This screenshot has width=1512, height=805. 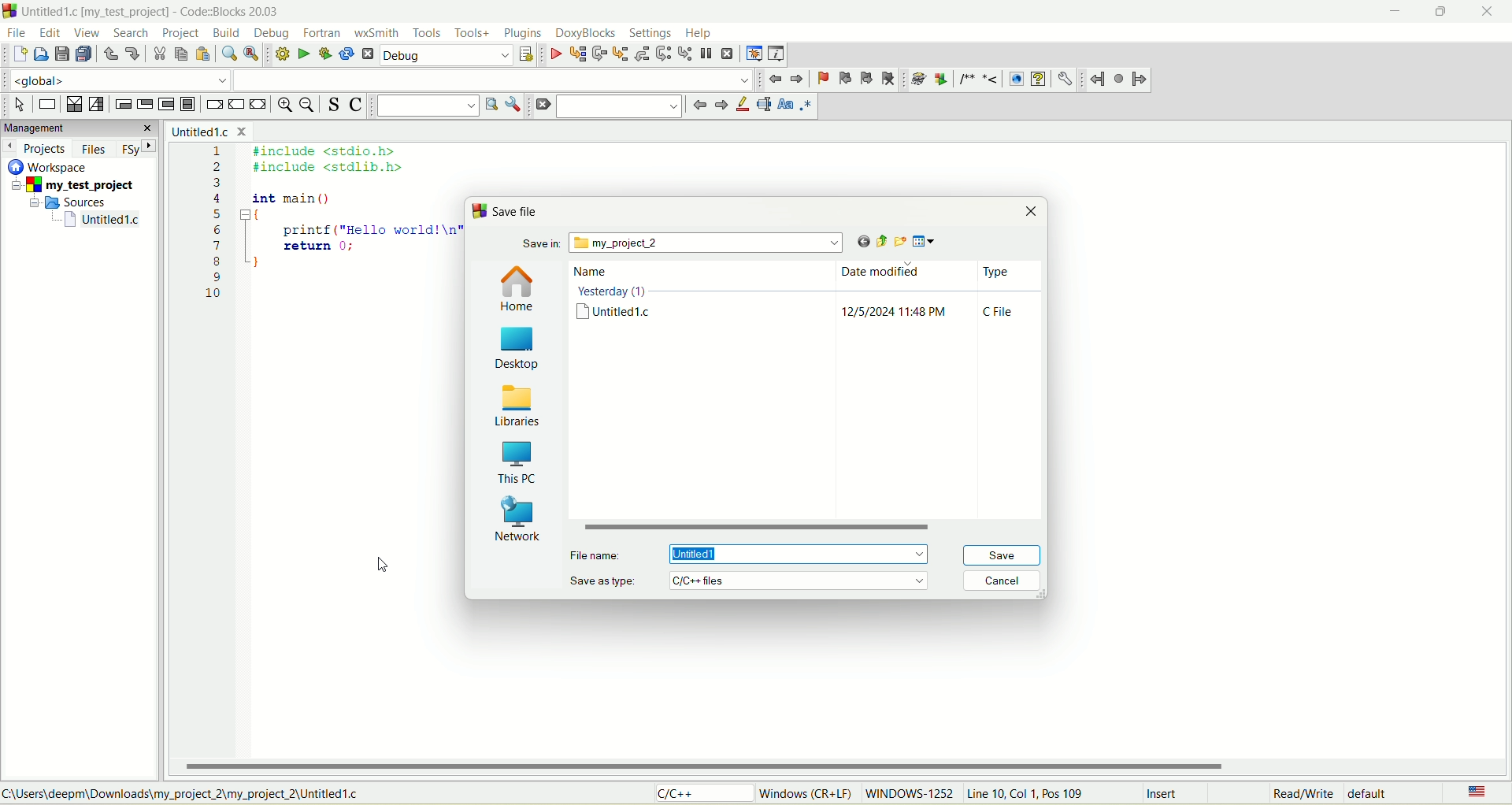 I want to click on blank space, so click(x=620, y=105).